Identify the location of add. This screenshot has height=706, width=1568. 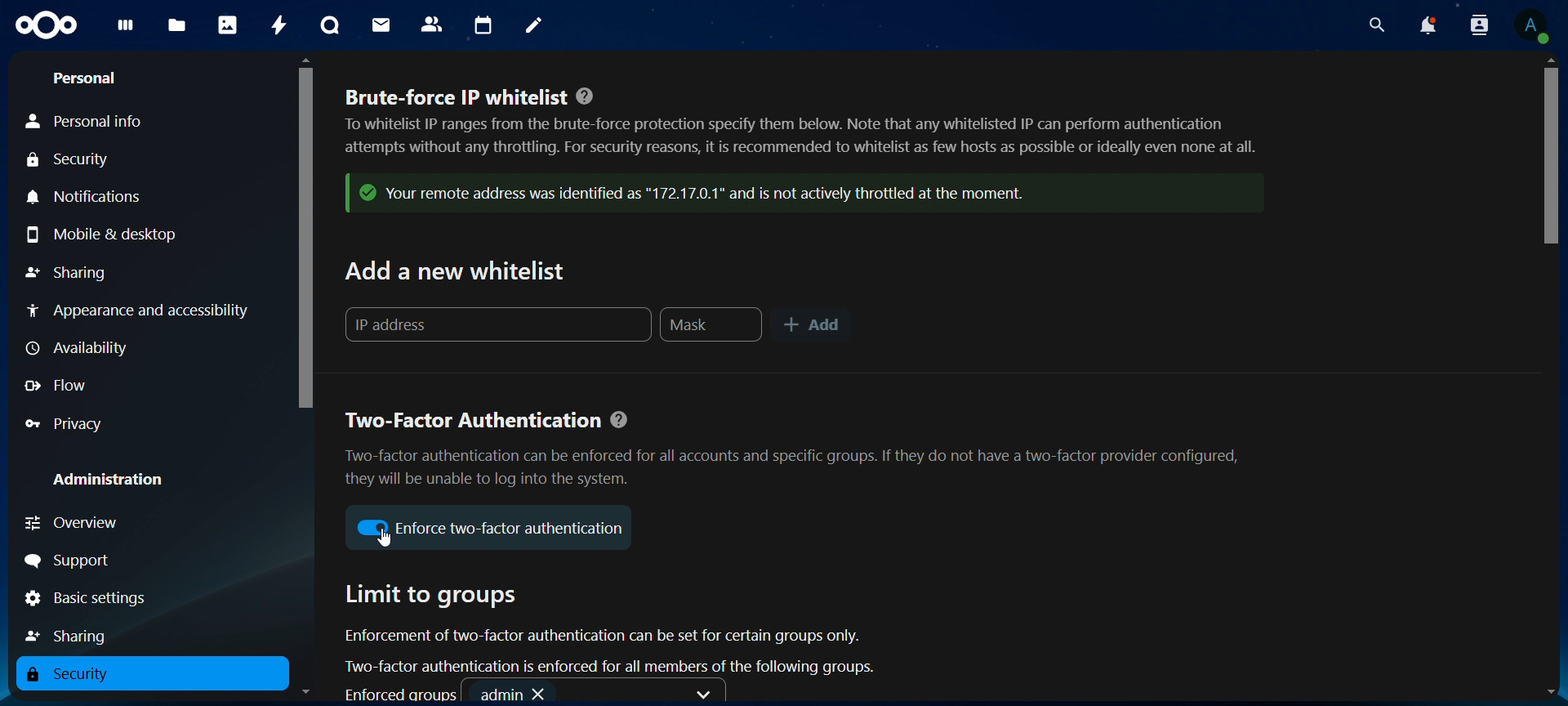
(810, 326).